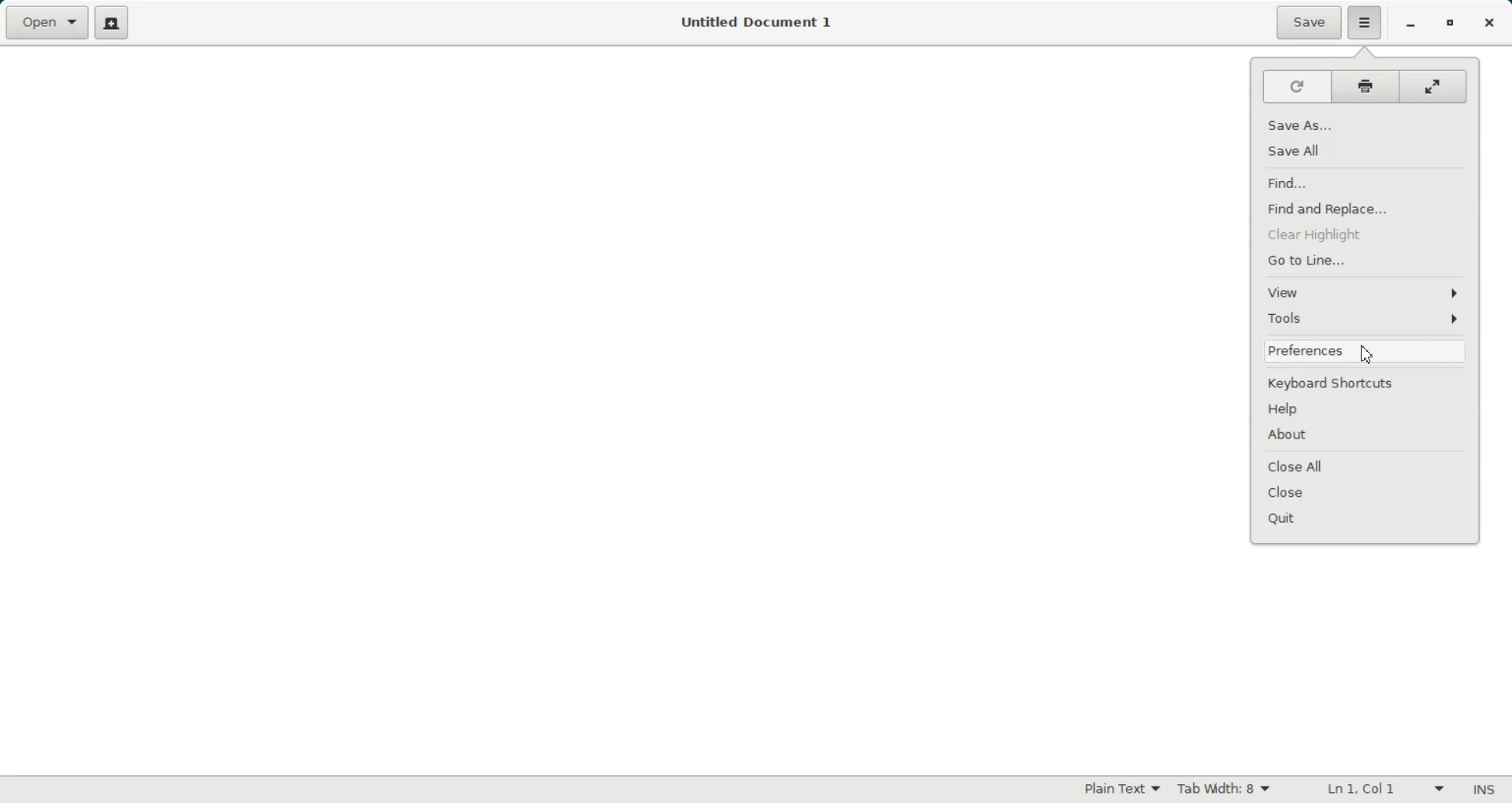  I want to click on Save All, so click(1366, 150).